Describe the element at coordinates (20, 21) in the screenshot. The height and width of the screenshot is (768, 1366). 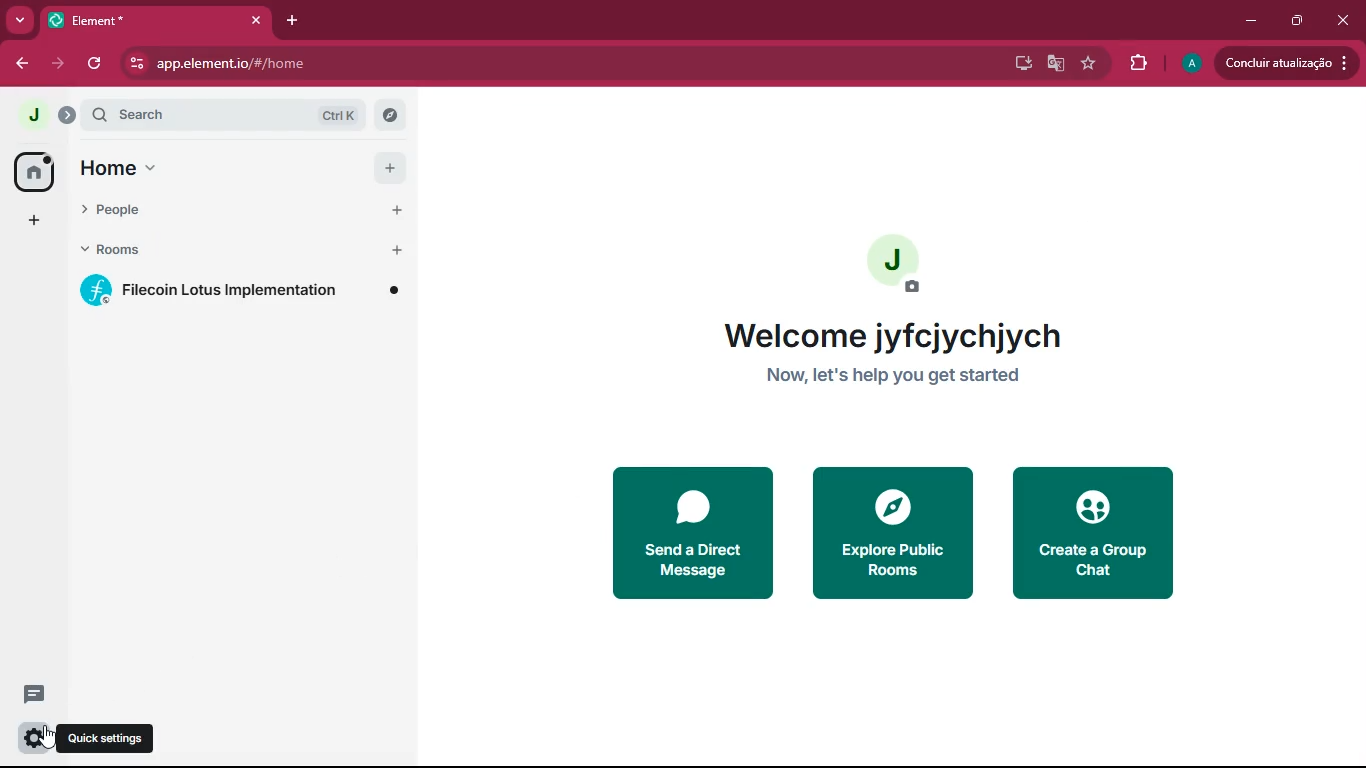
I see `search tabs` at that location.